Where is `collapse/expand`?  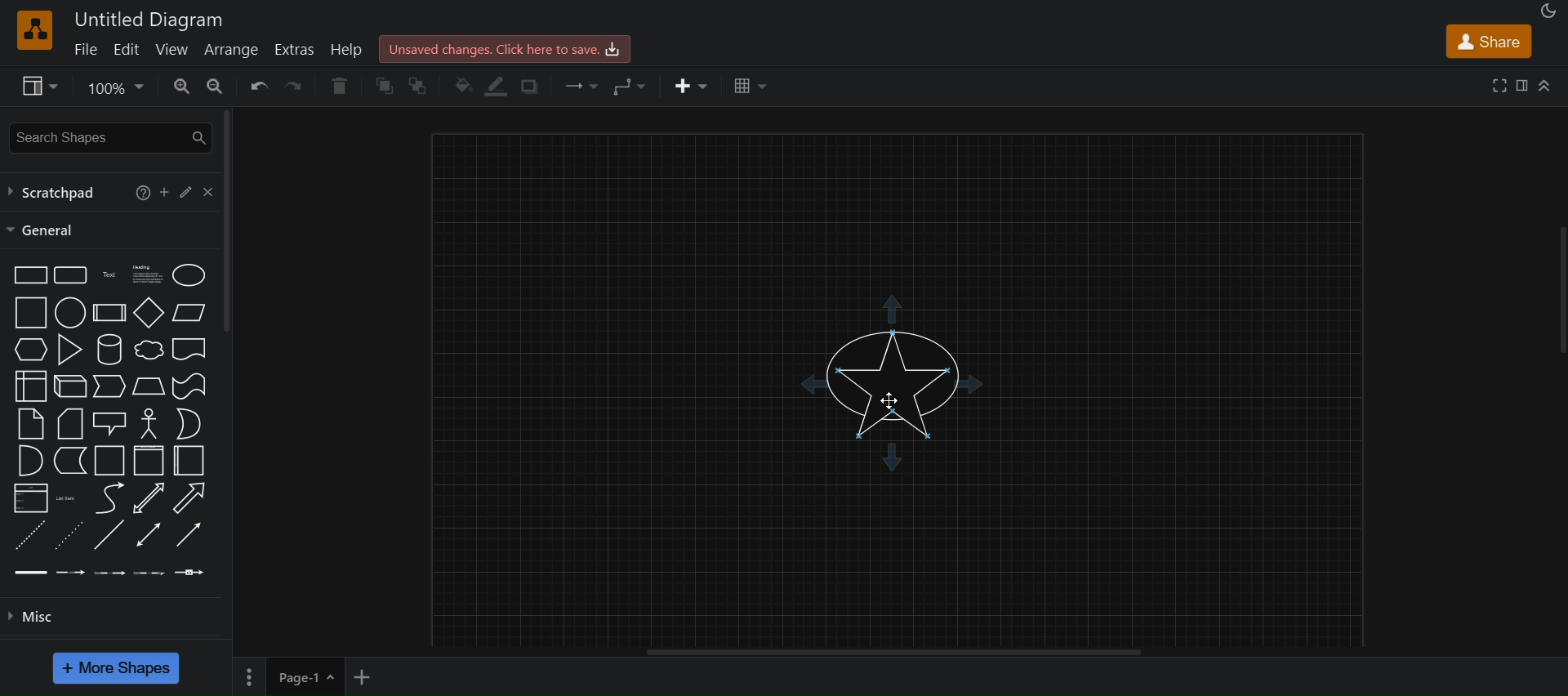 collapse/expand is located at coordinates (1548, 83).